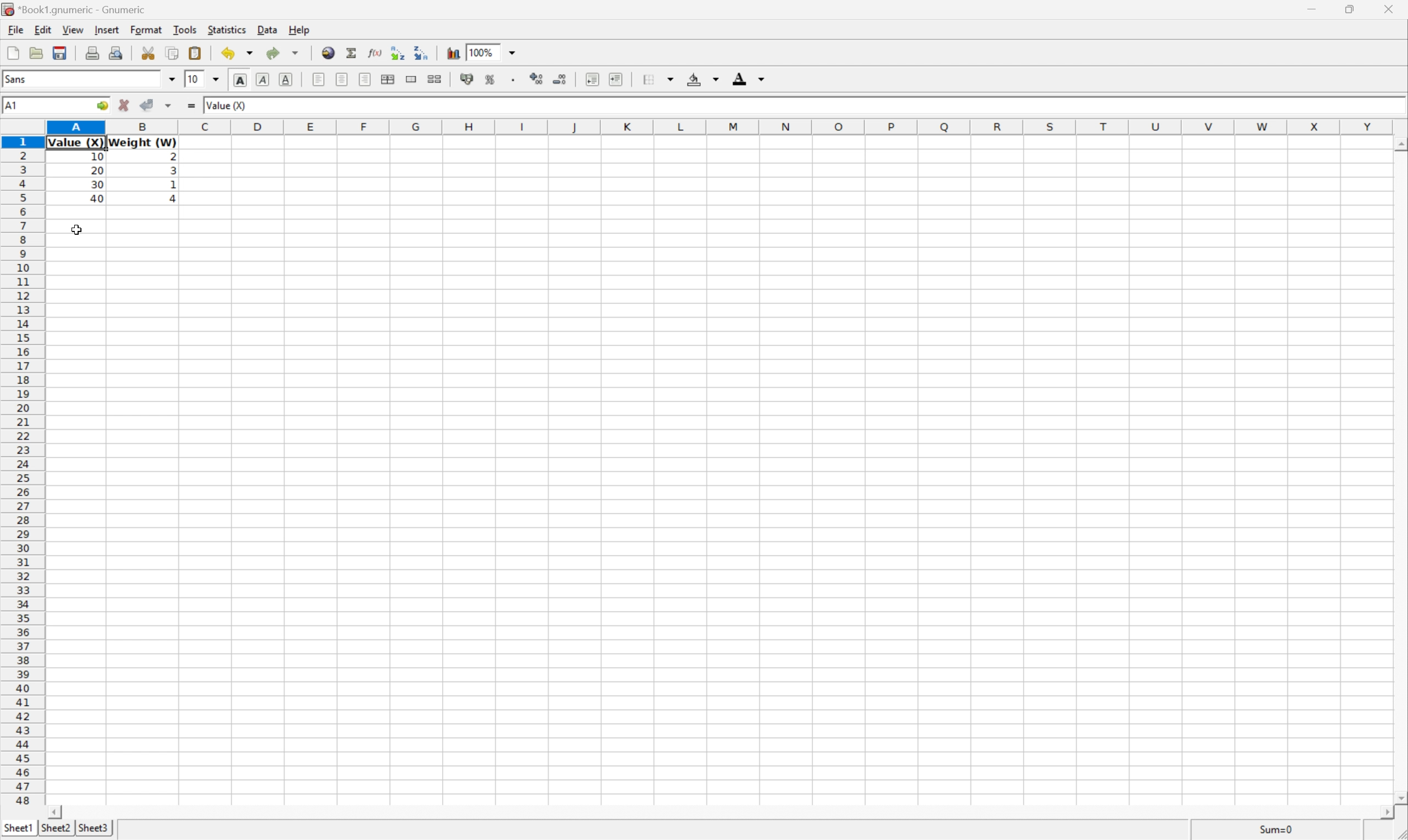 The width and height of the screenshot is (1408, 840). Describe the element at coordinates (17, 77) in the screenshot. I see `Sans` at that location.